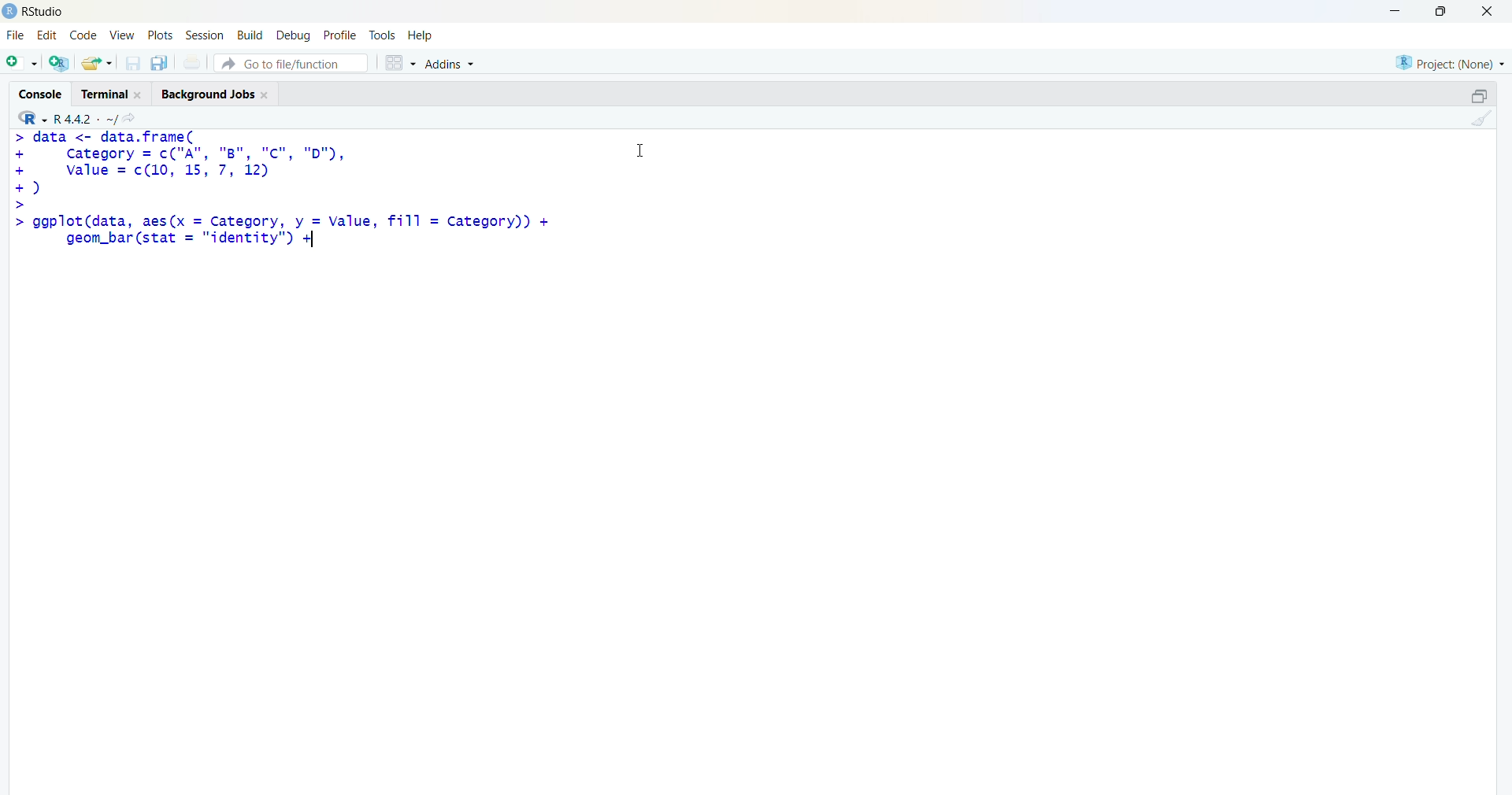 The height and width of the screenshot is (795, 1512). Describe the element at coordinates (47, 35) in the screenshot. I see `edit` at that location.